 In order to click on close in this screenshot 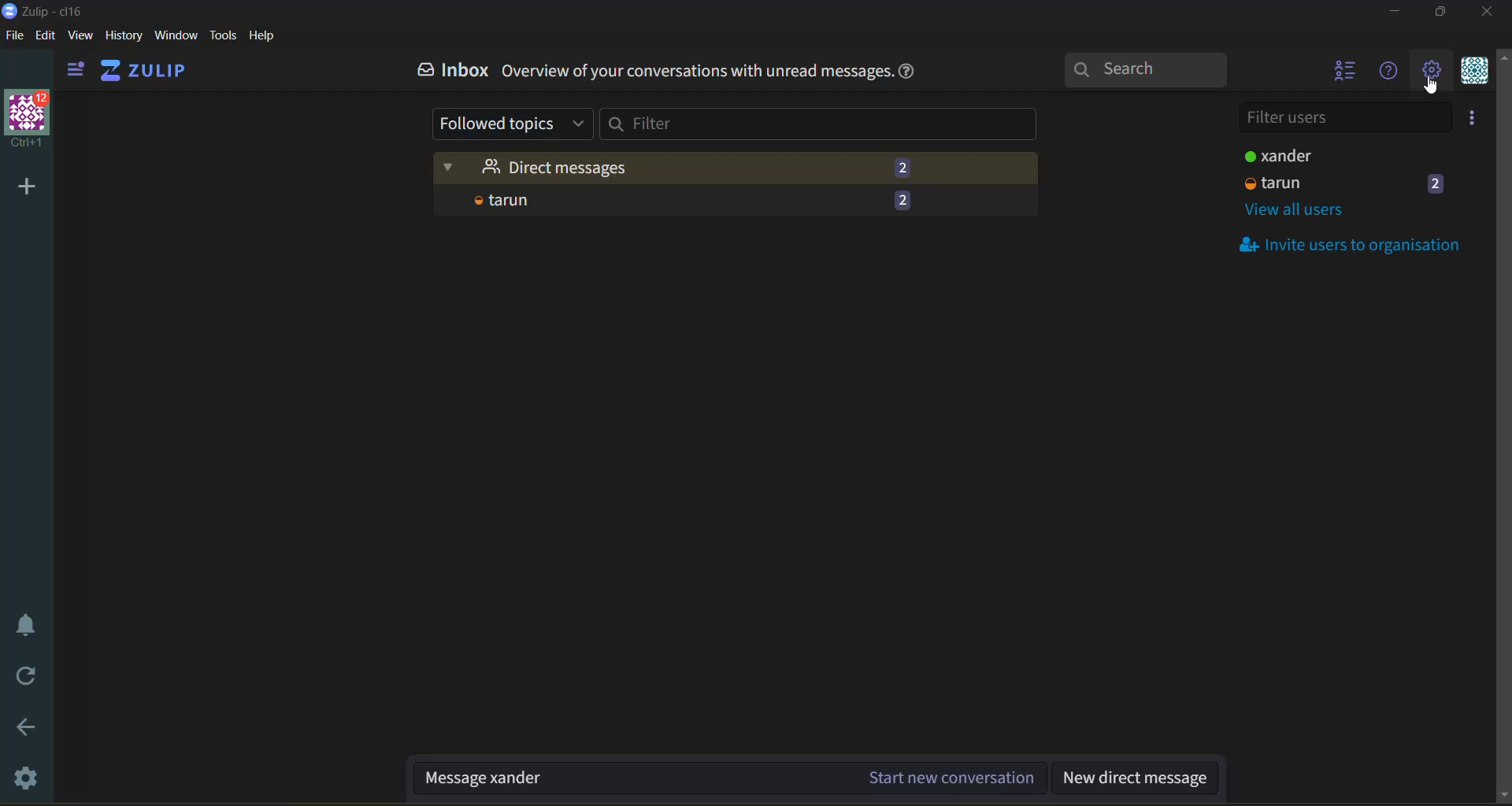, I will do `click(1490, 12)`.